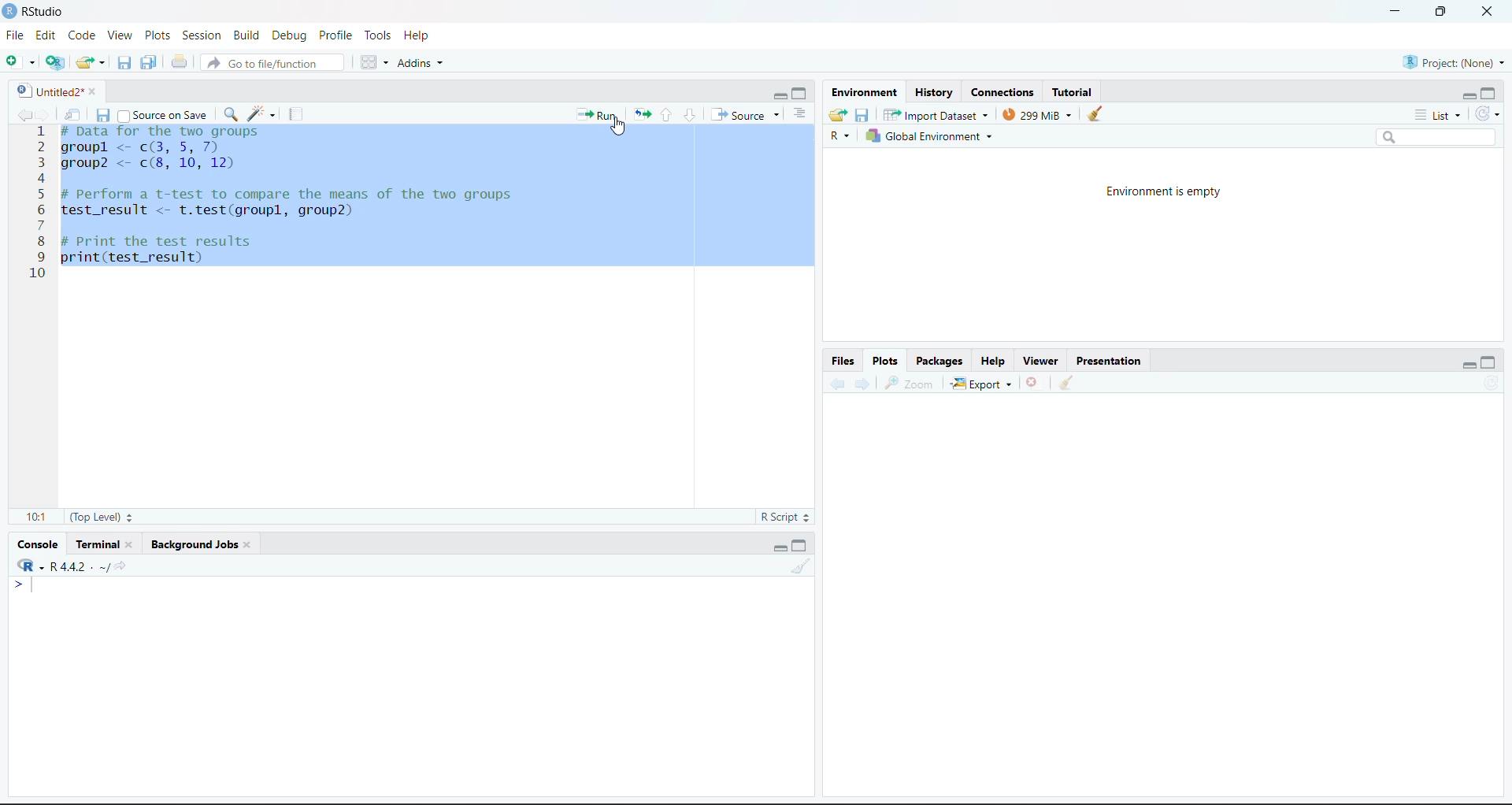  What do you see at coordinates (82, 36) in the screenshot?
I see `Code` at bounding box center [82, 36].